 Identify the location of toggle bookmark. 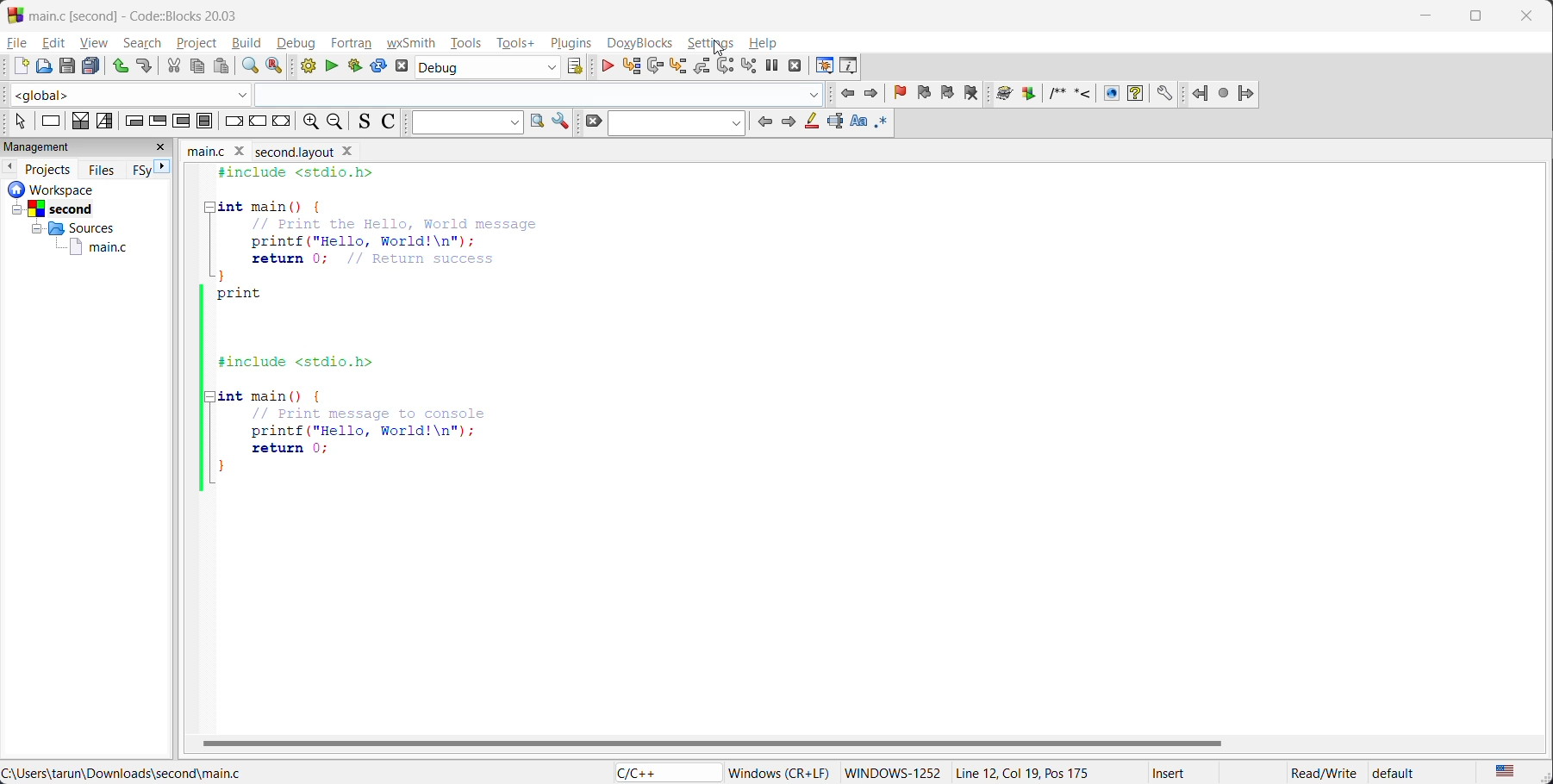
(899, 90).